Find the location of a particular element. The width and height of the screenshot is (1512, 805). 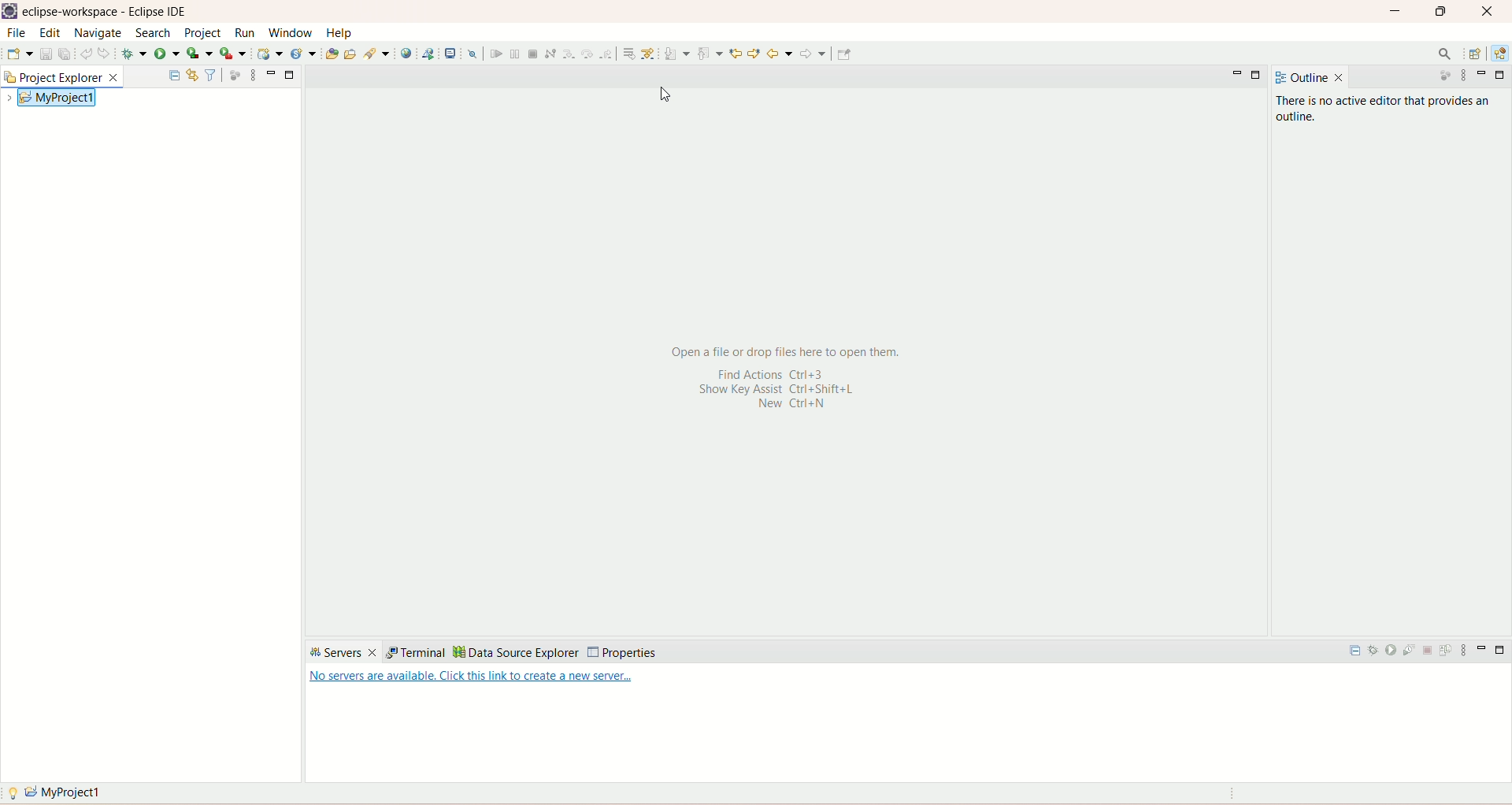

previous annotation is located at coordinates (710, 54).